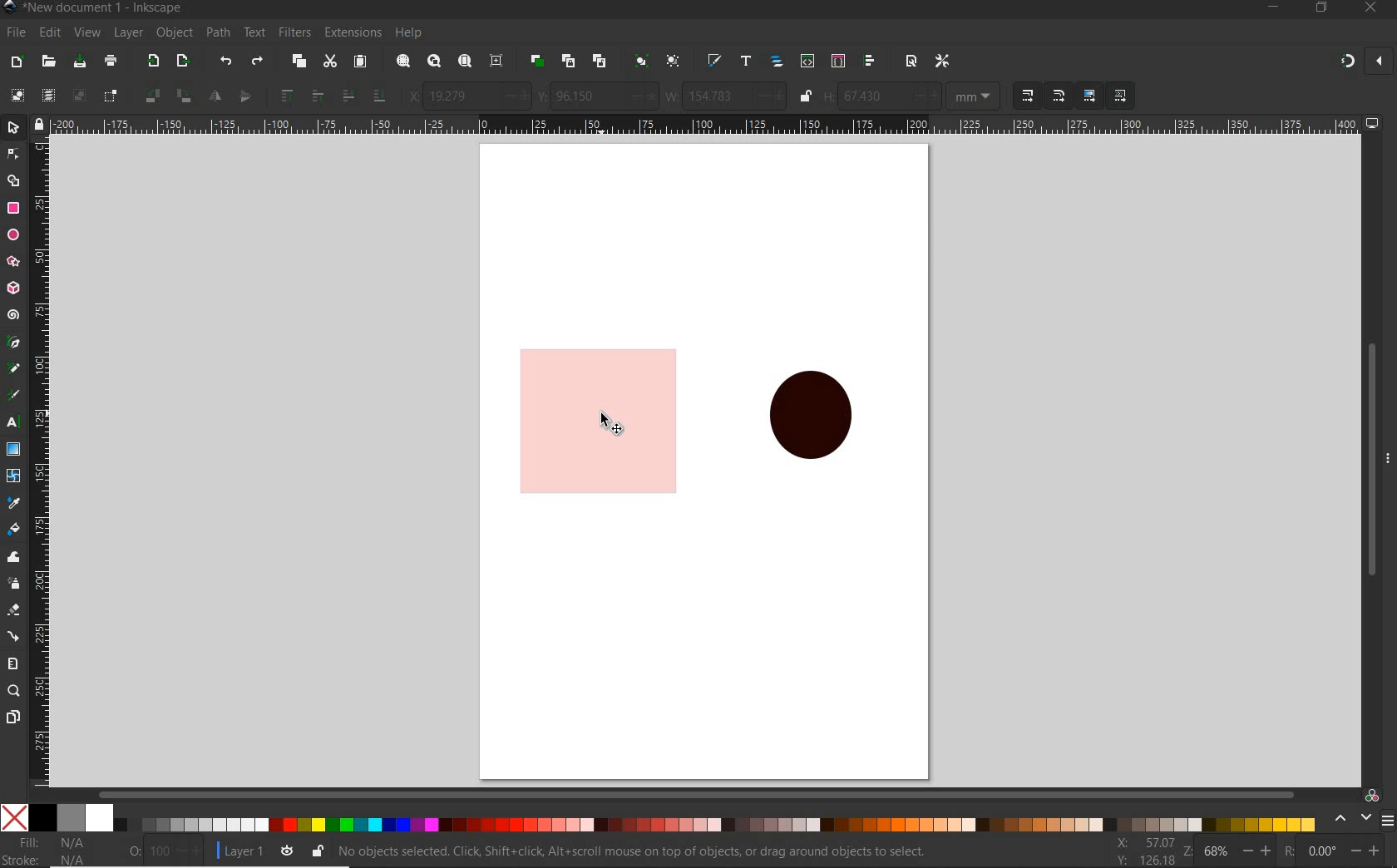 The width and height of the screenshot is (1397, 868). Describe the element at coordinates (41, 461) in the screenshot. I see `ruler` at that location.